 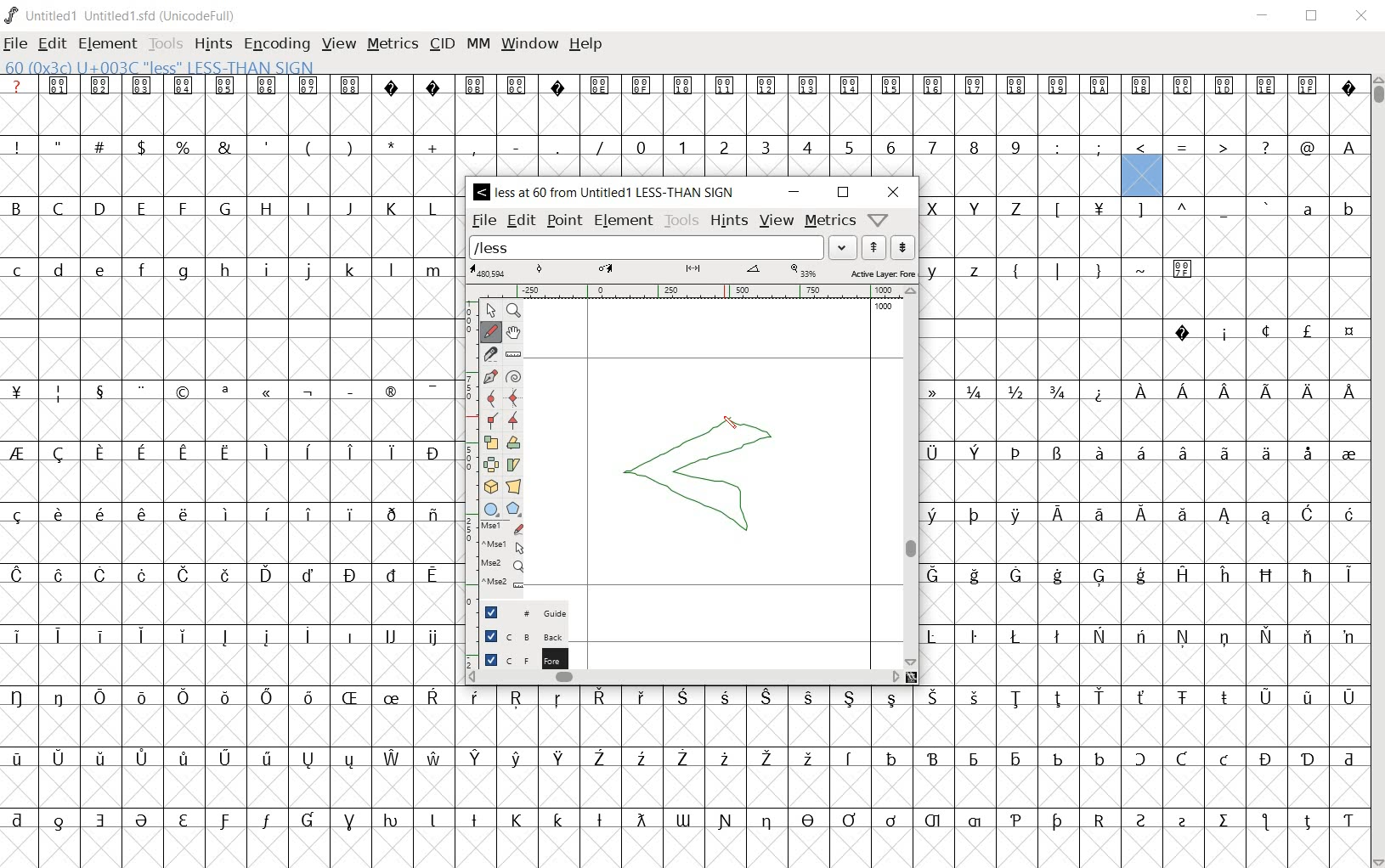 What do you see at coordinates (1142, 603) in the screenshot?
I see `empty cells` at bounding box center [1142, 603].